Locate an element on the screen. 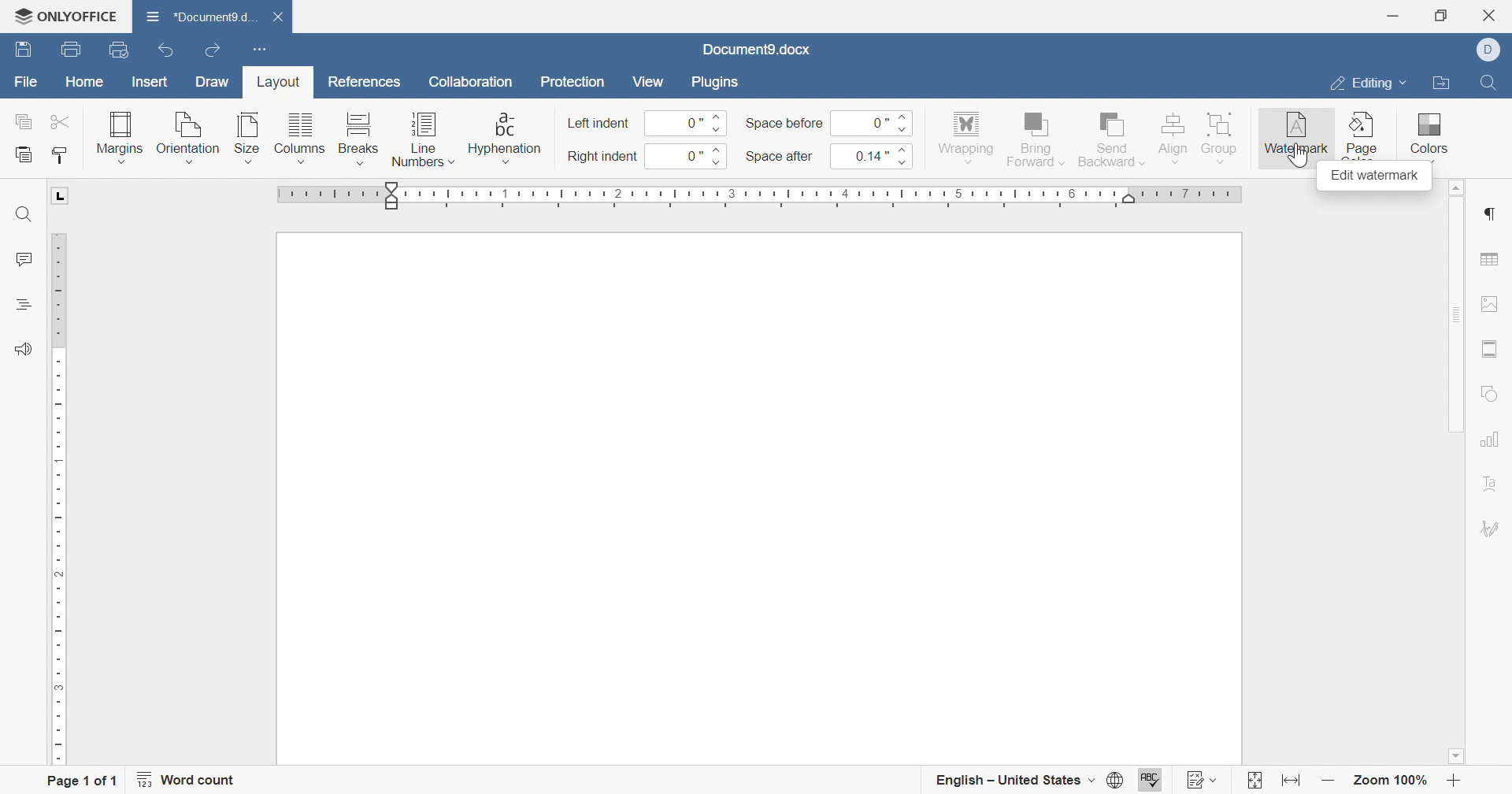 This screenshot has width=1512, height=794. draw is located at coordinates (213, 82).